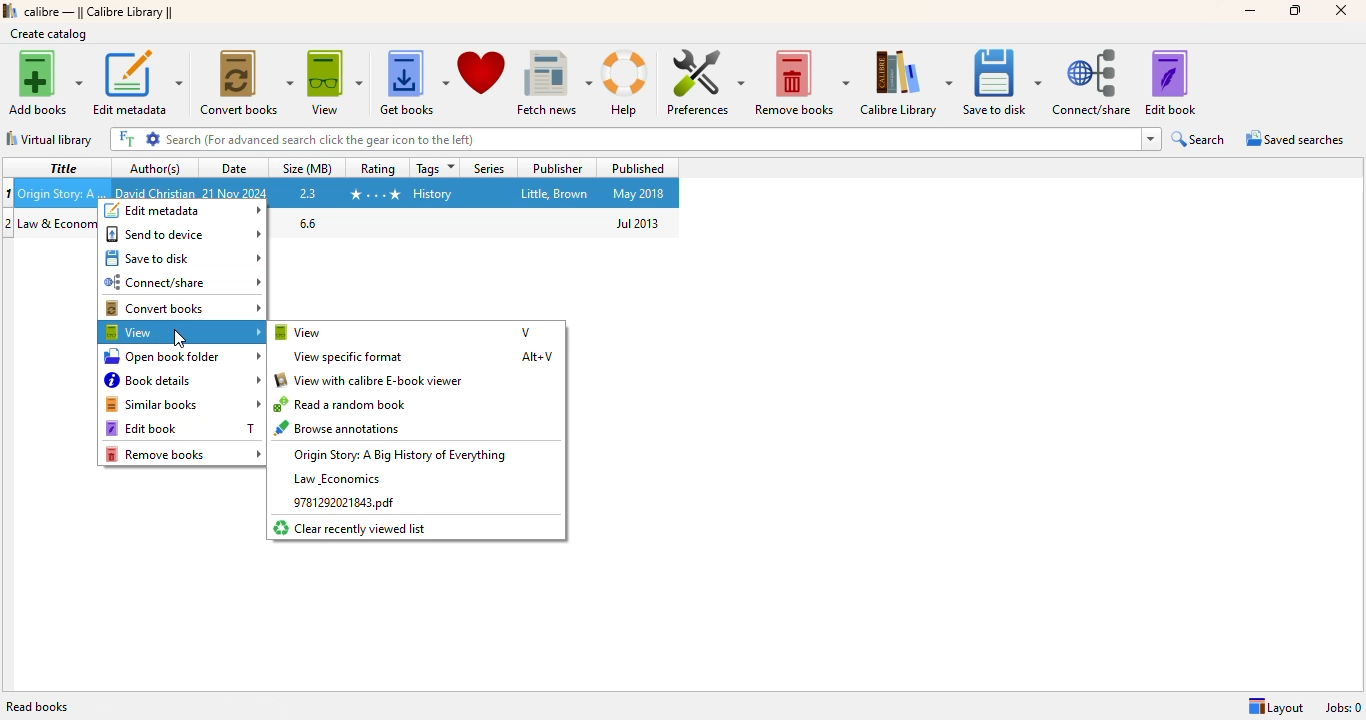 Image resolution: width=1366 pixels, height=720 pixels. I want to click on view, so click(299, 332).